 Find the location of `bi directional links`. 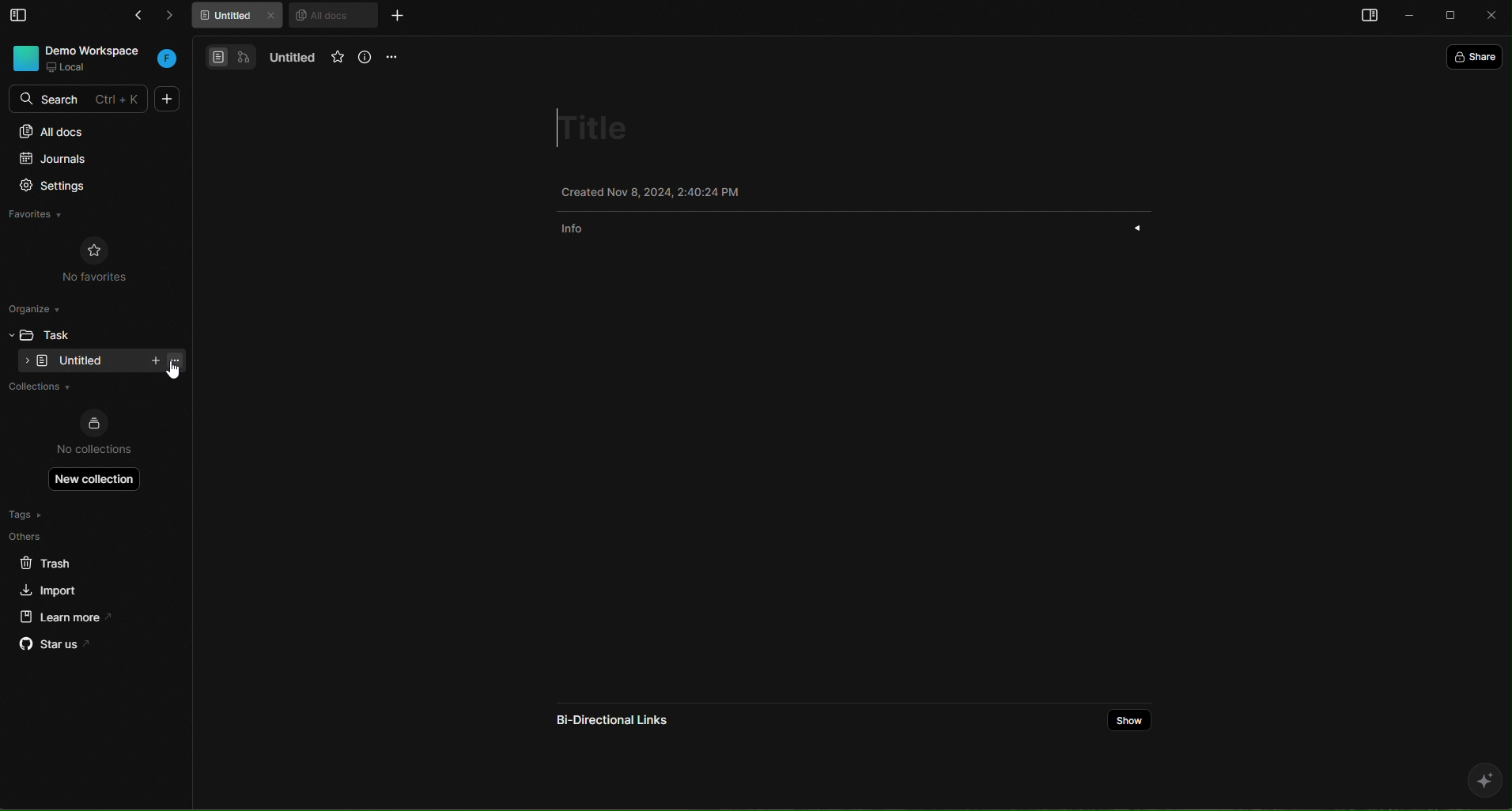

bi directional links is located at coordinates (609, 715).